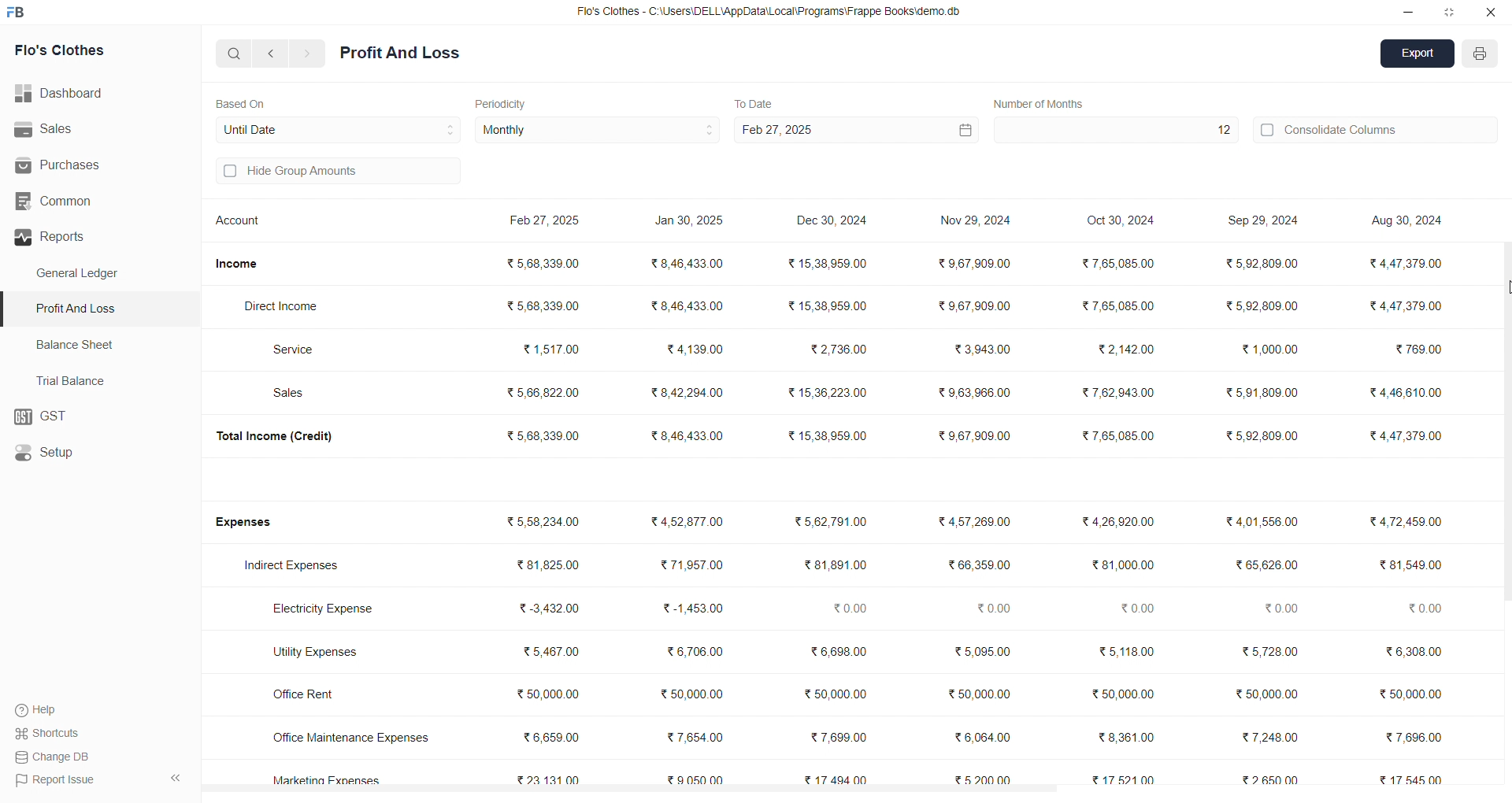 This screenshot has width=1512, height=803. What do you see at coordinates (235, 53) in the screenshot?
I see `search` at bounding box center [235, 53].